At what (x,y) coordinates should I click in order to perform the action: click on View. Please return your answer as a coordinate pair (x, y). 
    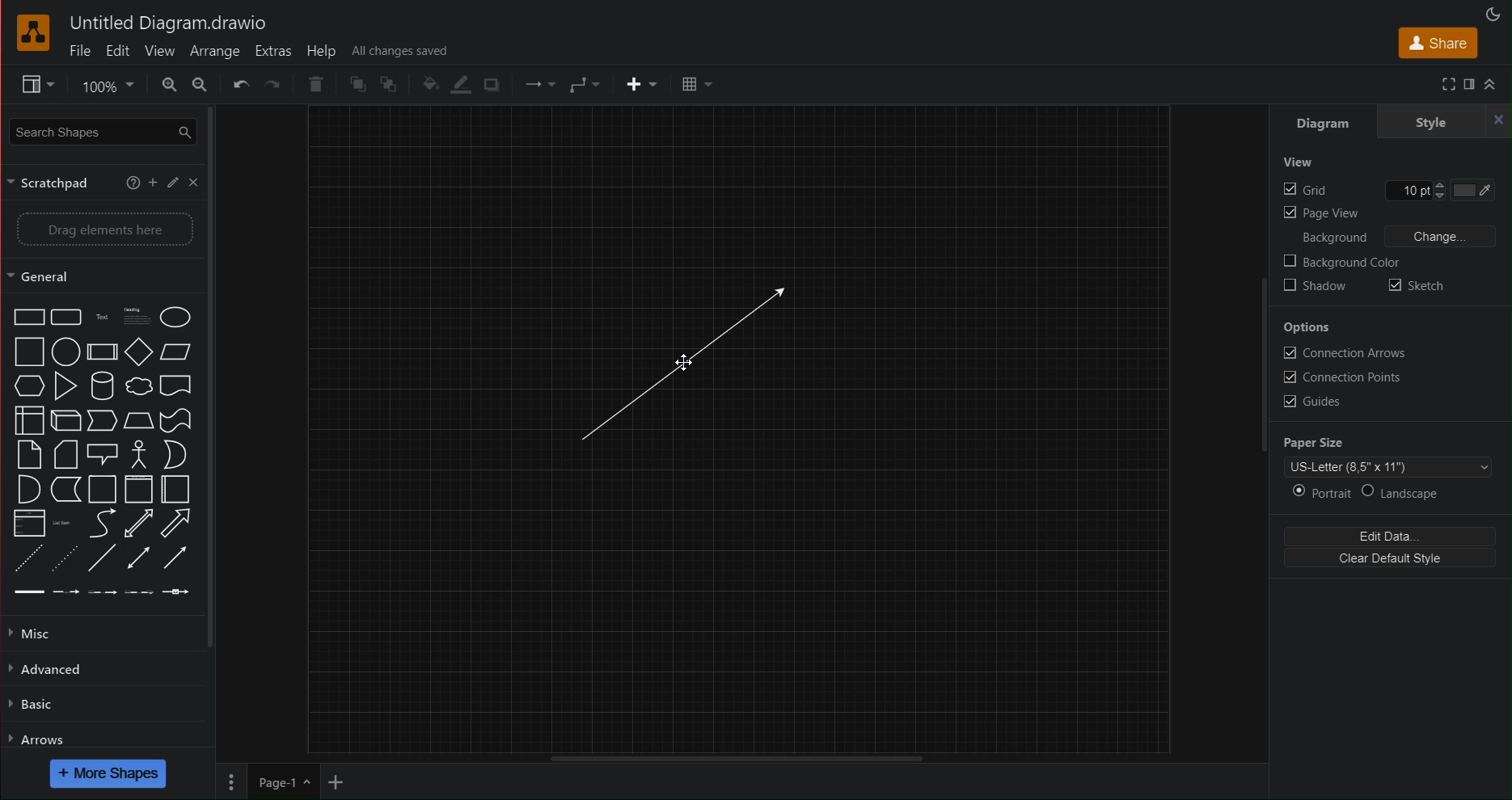
    Looking at the image, I should click on (29, 85).